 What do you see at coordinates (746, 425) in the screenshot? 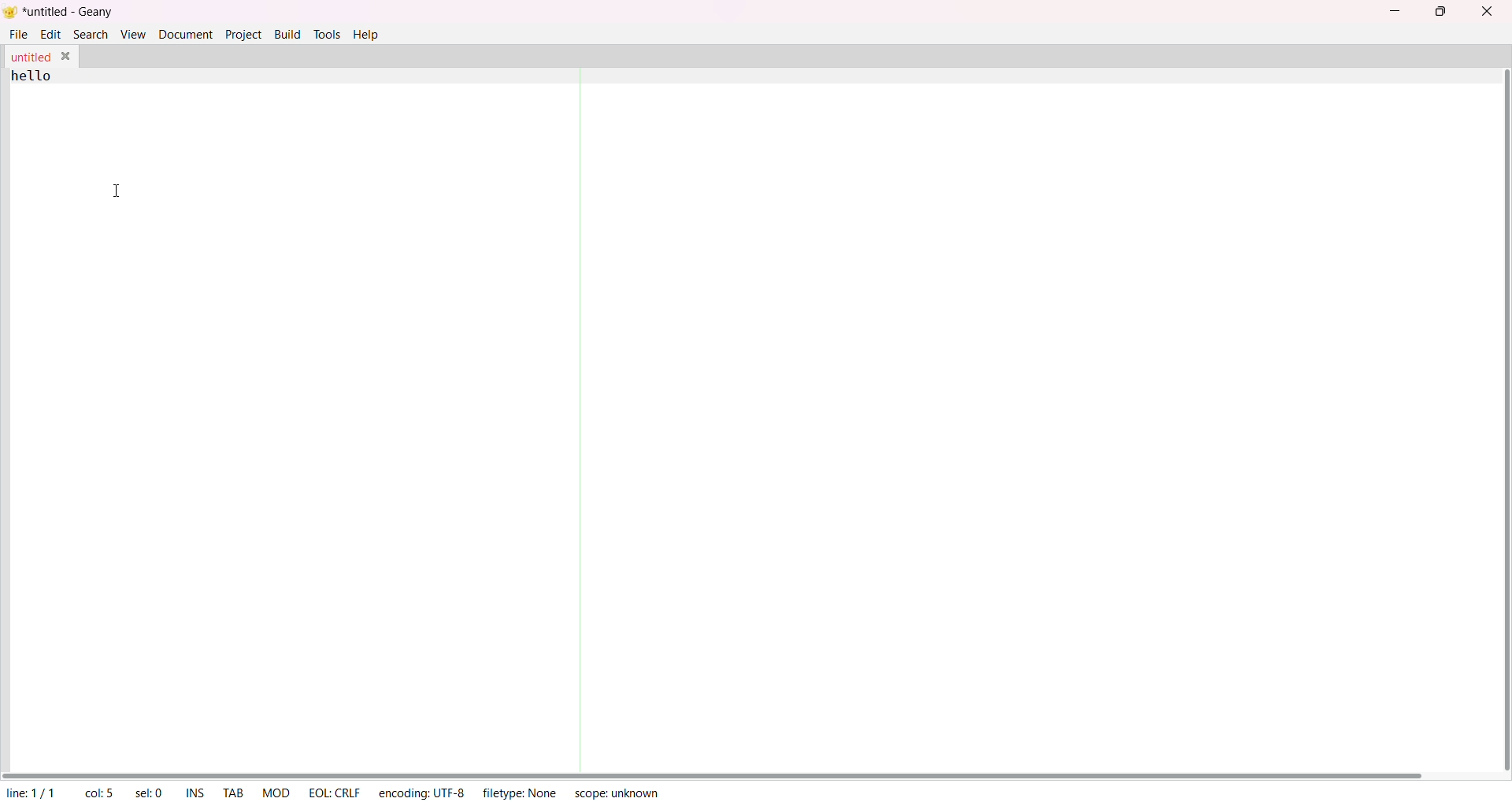
I see `text area` at bounding box center [746, 425].